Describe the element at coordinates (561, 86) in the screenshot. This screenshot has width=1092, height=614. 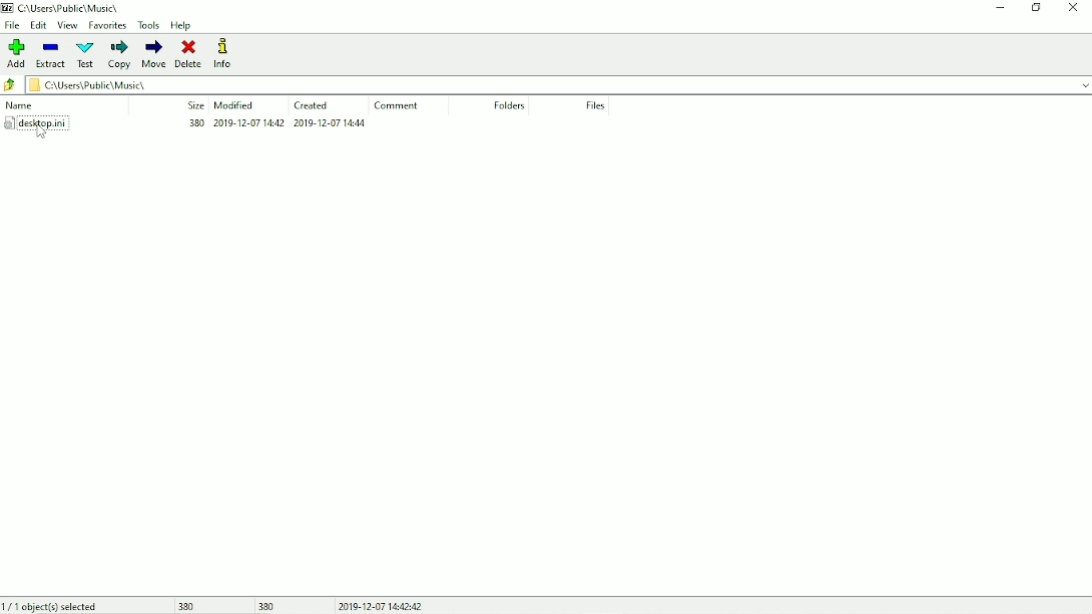
I see `c\Users\Pubhic\iusic\` at that location.